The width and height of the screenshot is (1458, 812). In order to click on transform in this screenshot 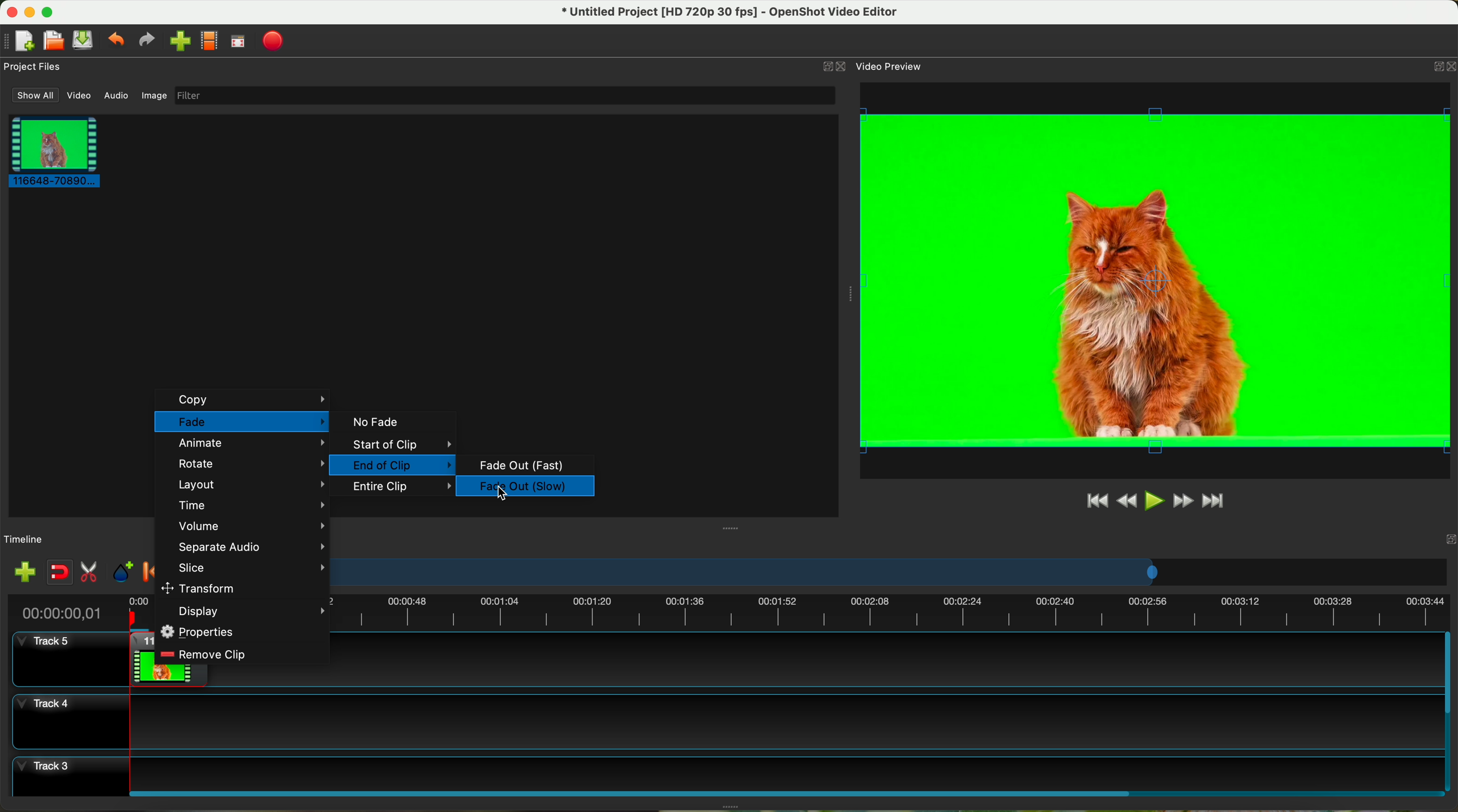, I will do `click(201, 587)`.